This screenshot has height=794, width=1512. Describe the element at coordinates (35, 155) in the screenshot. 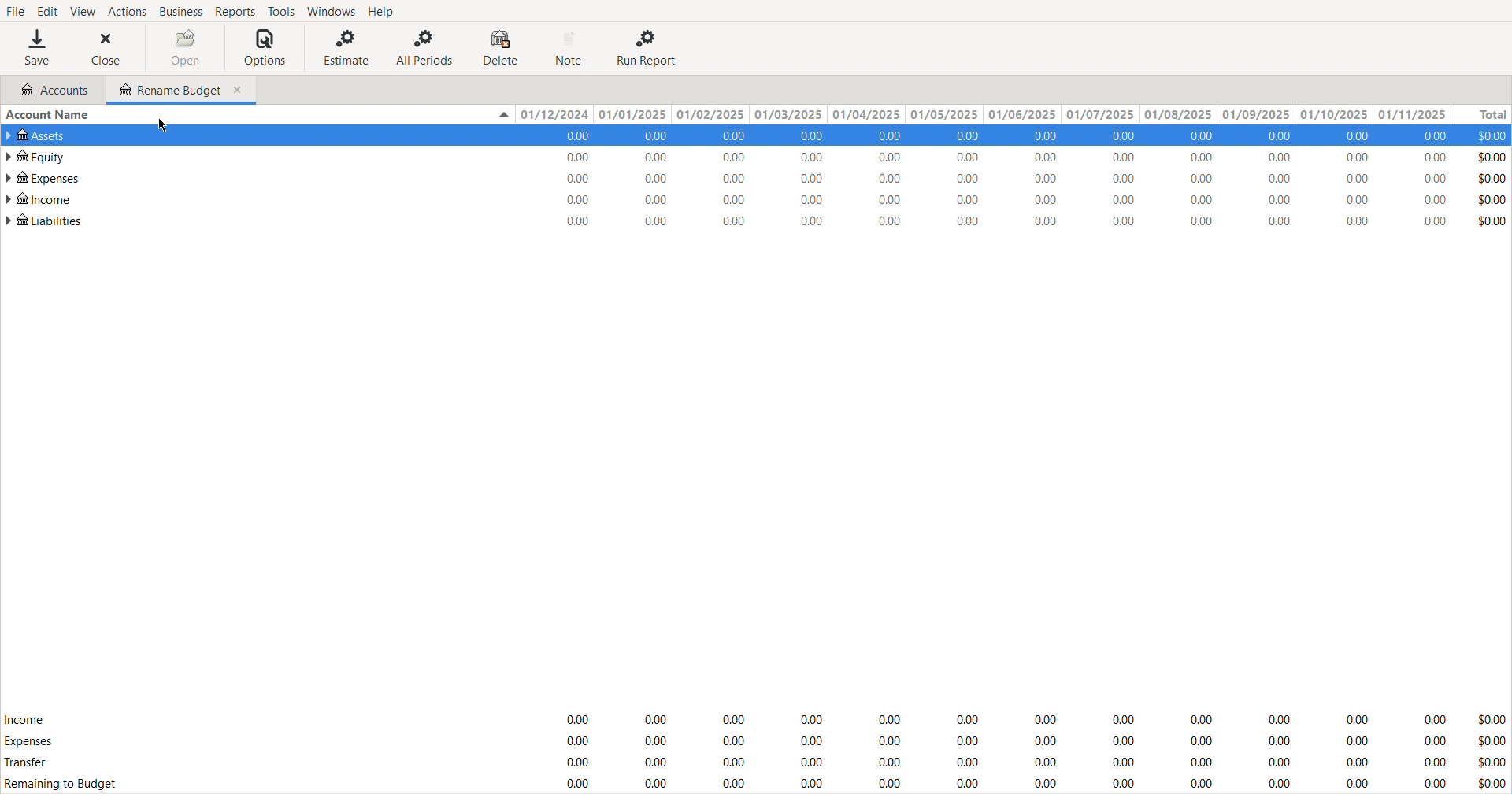

I see `Equity` at that location.